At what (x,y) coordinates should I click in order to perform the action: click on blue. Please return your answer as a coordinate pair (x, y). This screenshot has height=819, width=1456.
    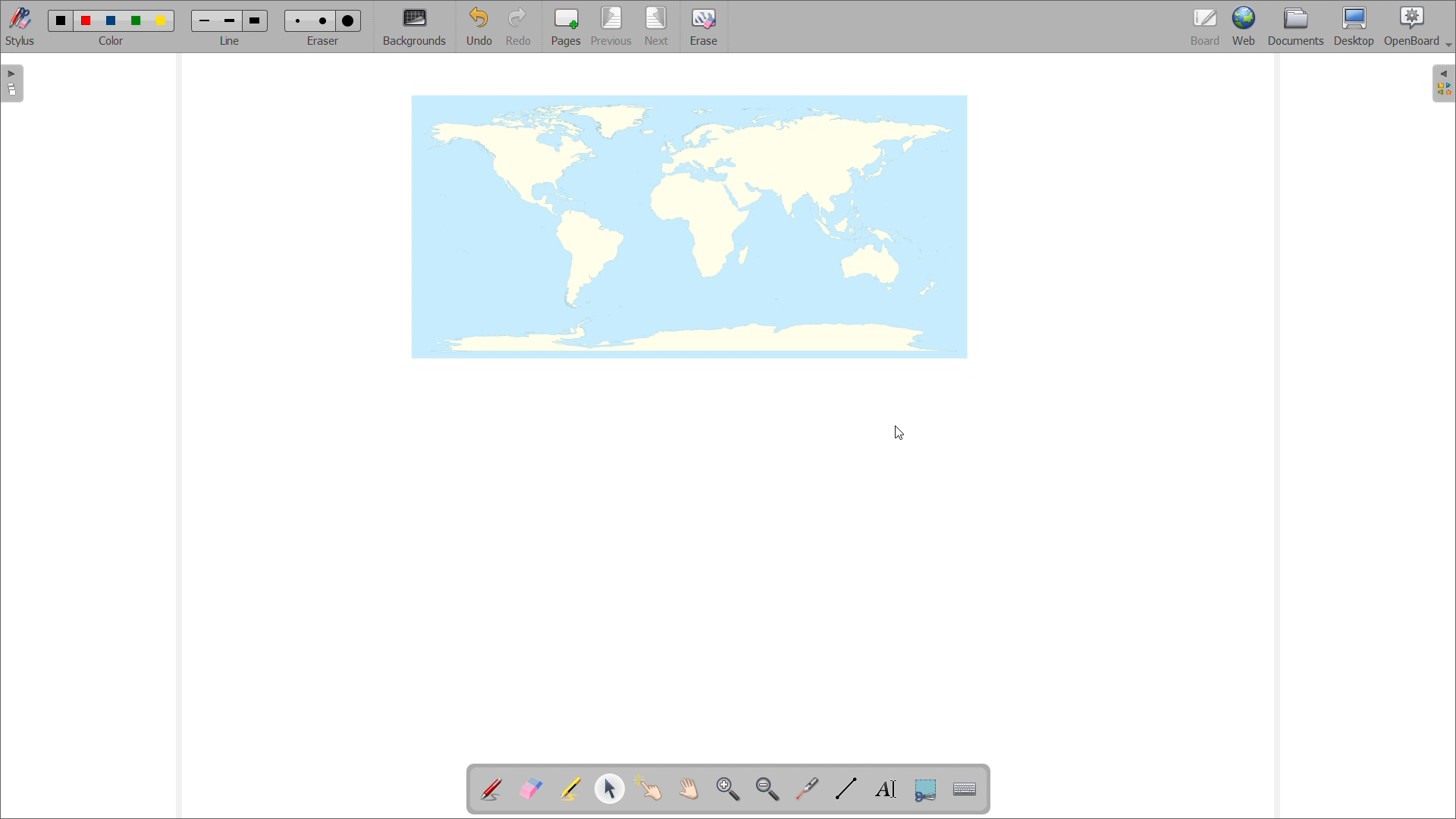
    Looking at the image, I should click on (112, 20).